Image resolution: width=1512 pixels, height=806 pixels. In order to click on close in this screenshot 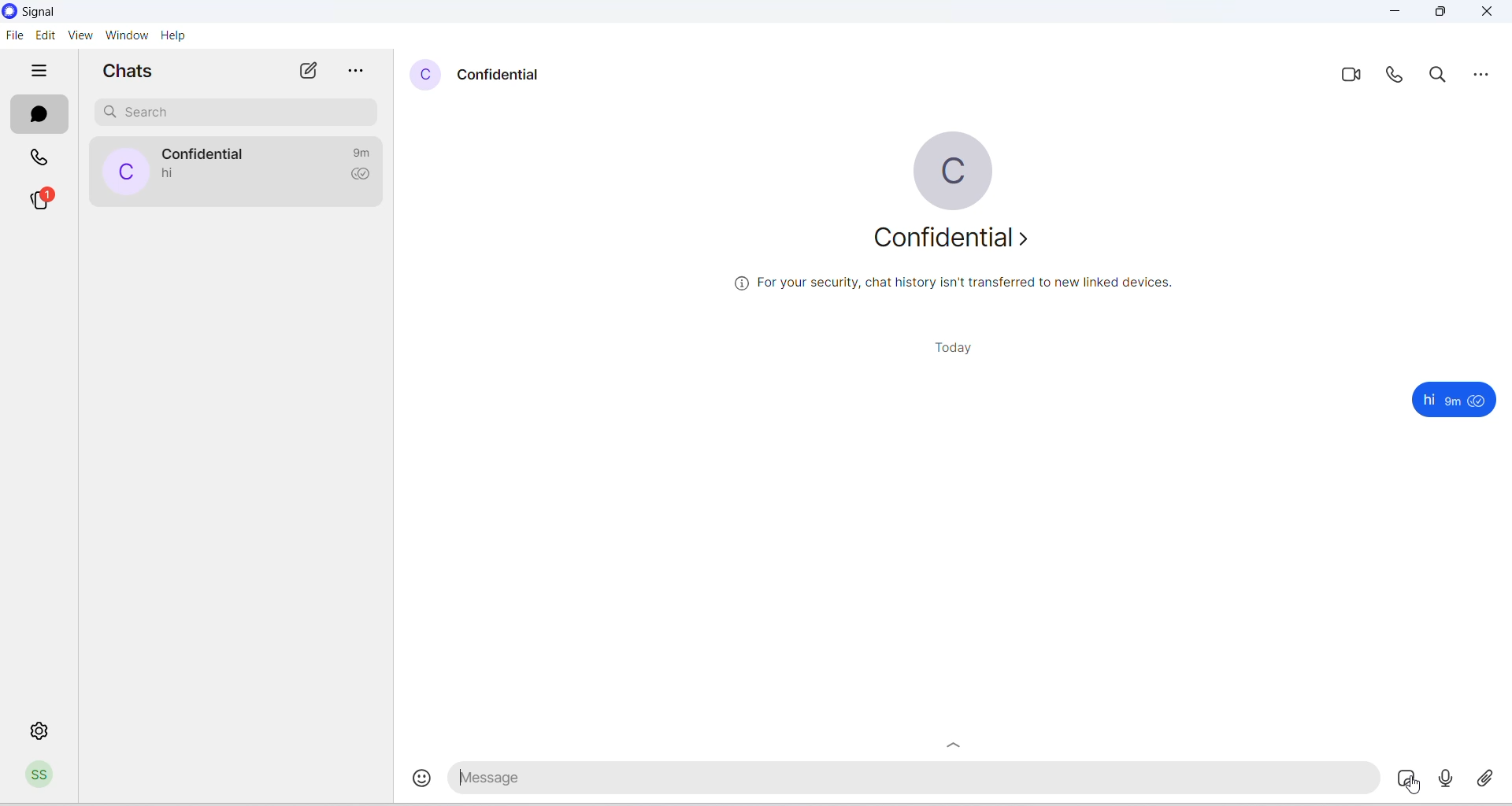, I will do `click(1489, 13)`.